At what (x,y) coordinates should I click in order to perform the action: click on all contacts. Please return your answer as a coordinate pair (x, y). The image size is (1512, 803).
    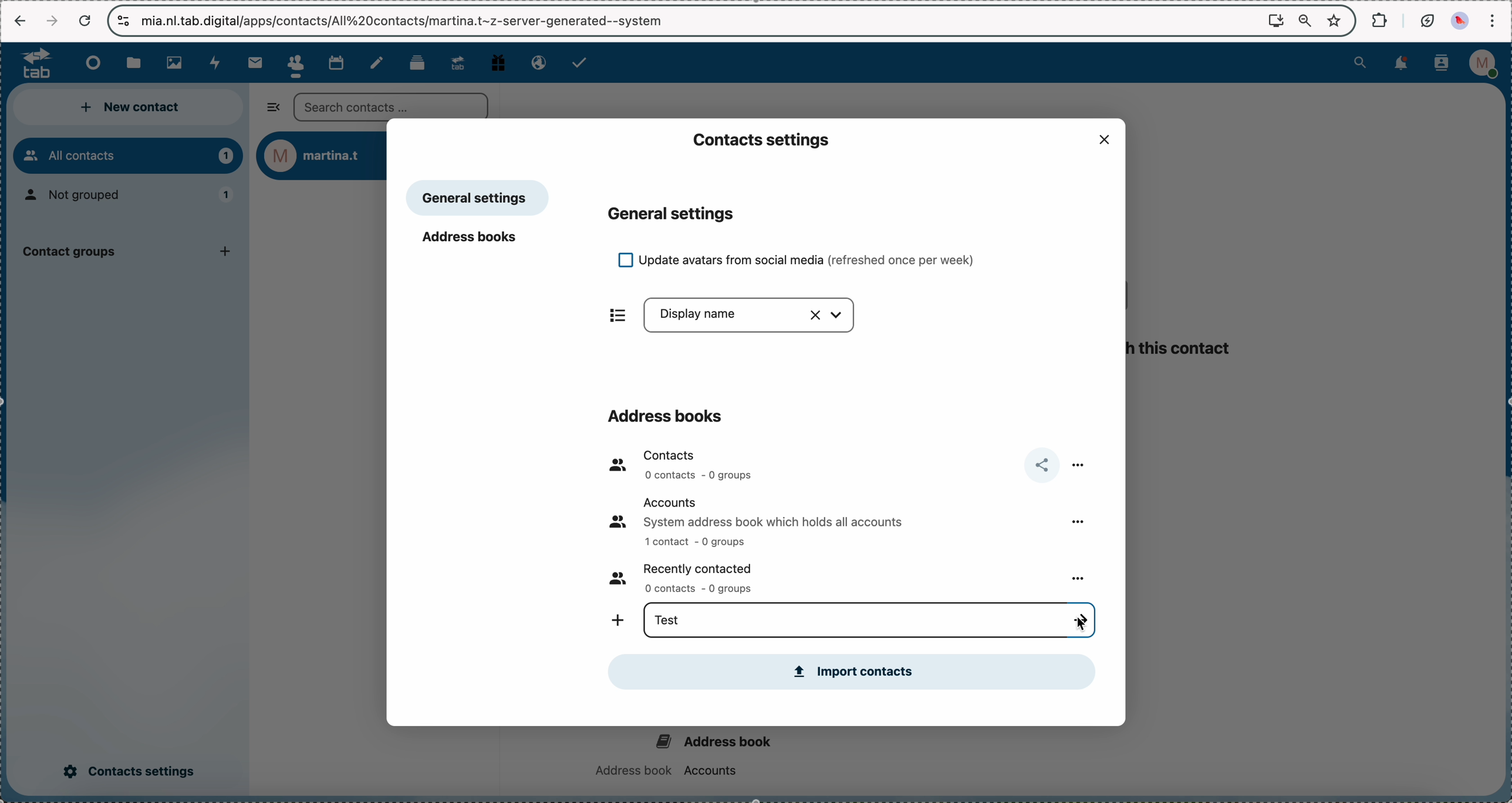
    Looking at the image, I should click on (127, 156).